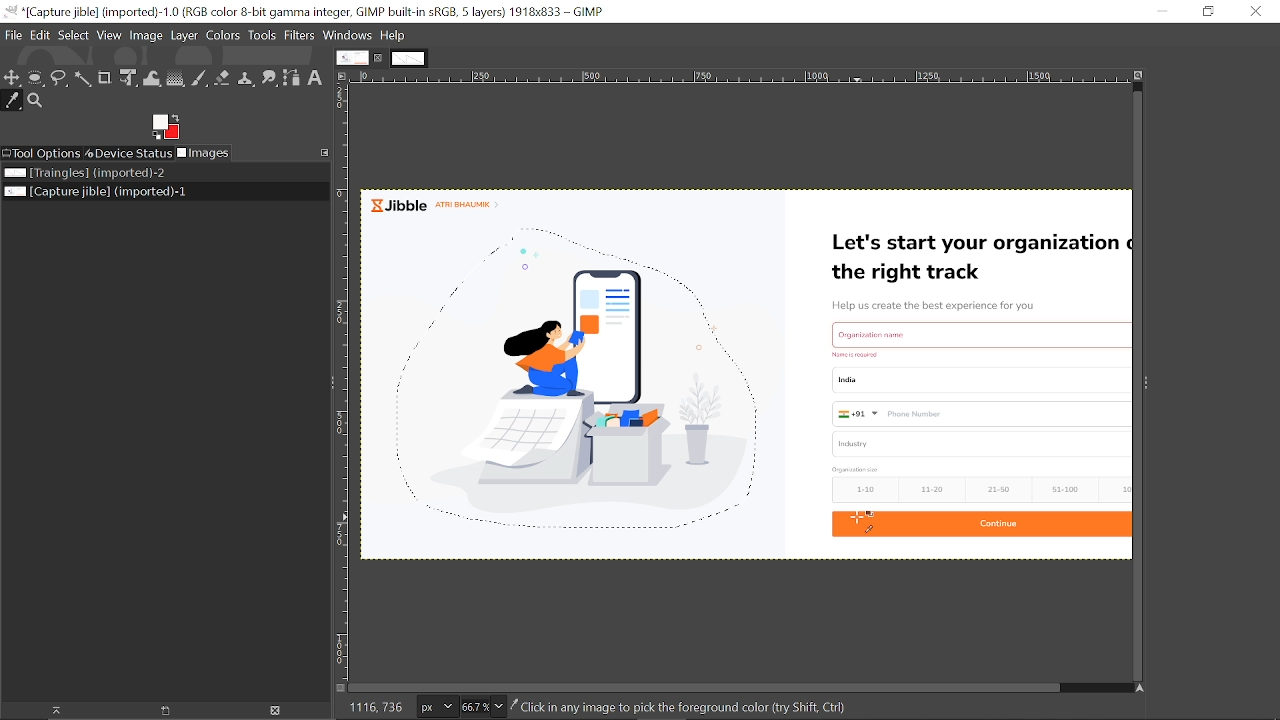  Describe the element at coordinates (245, 79) in the screenshot. I see `Clone tool` at that location.